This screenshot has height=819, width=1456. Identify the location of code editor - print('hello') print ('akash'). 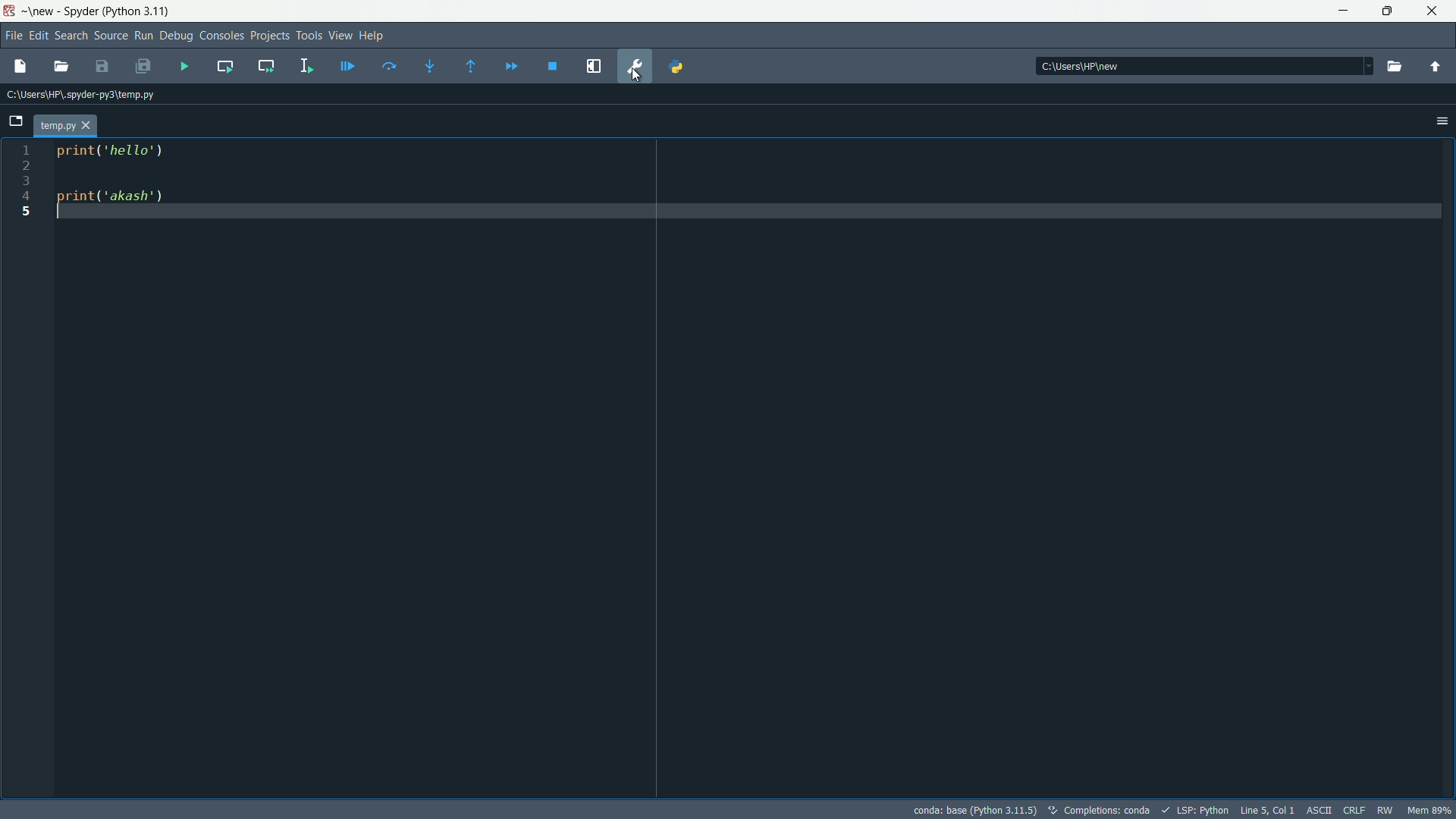
(107, 180).